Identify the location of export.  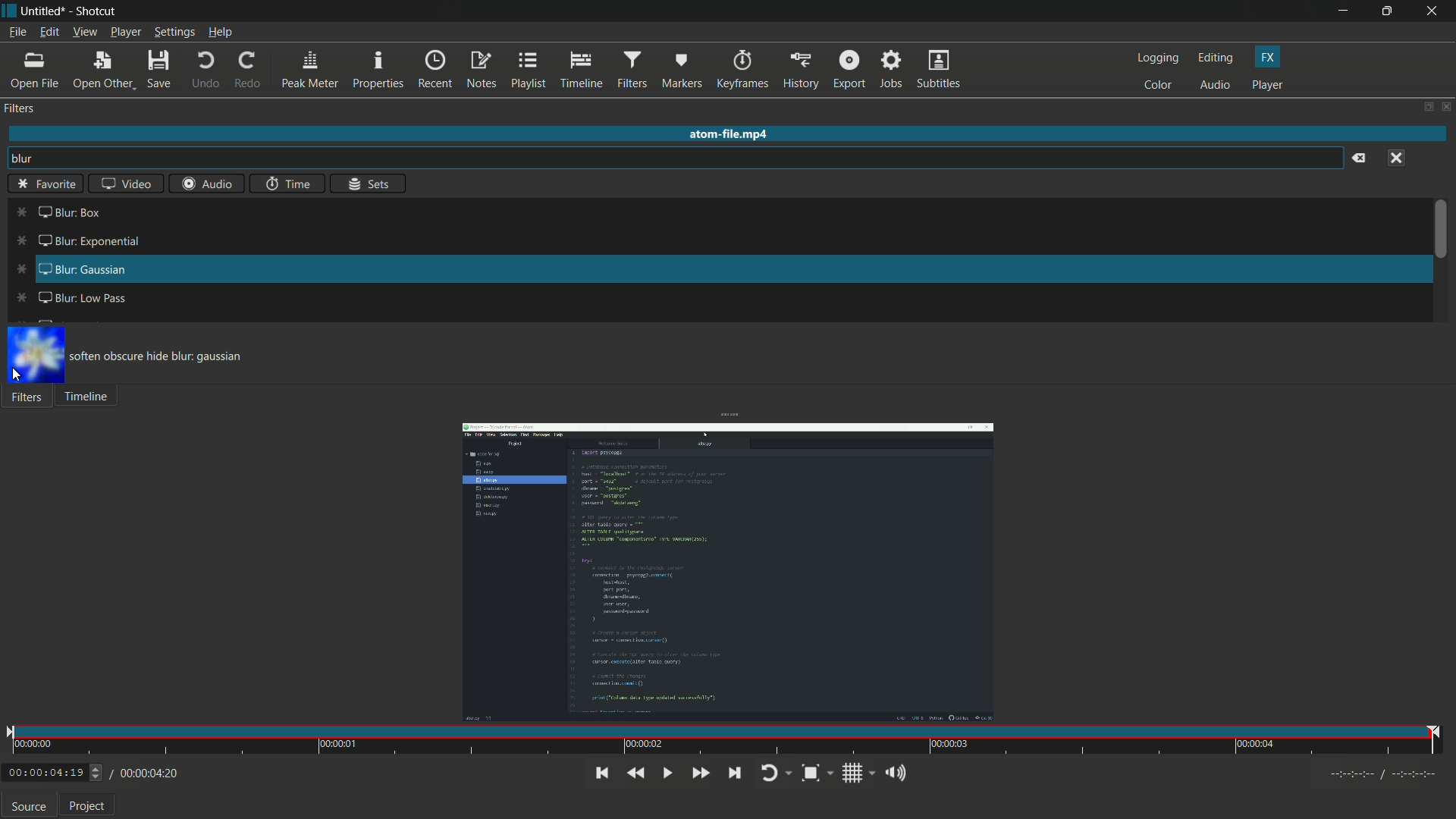
(847, 71).